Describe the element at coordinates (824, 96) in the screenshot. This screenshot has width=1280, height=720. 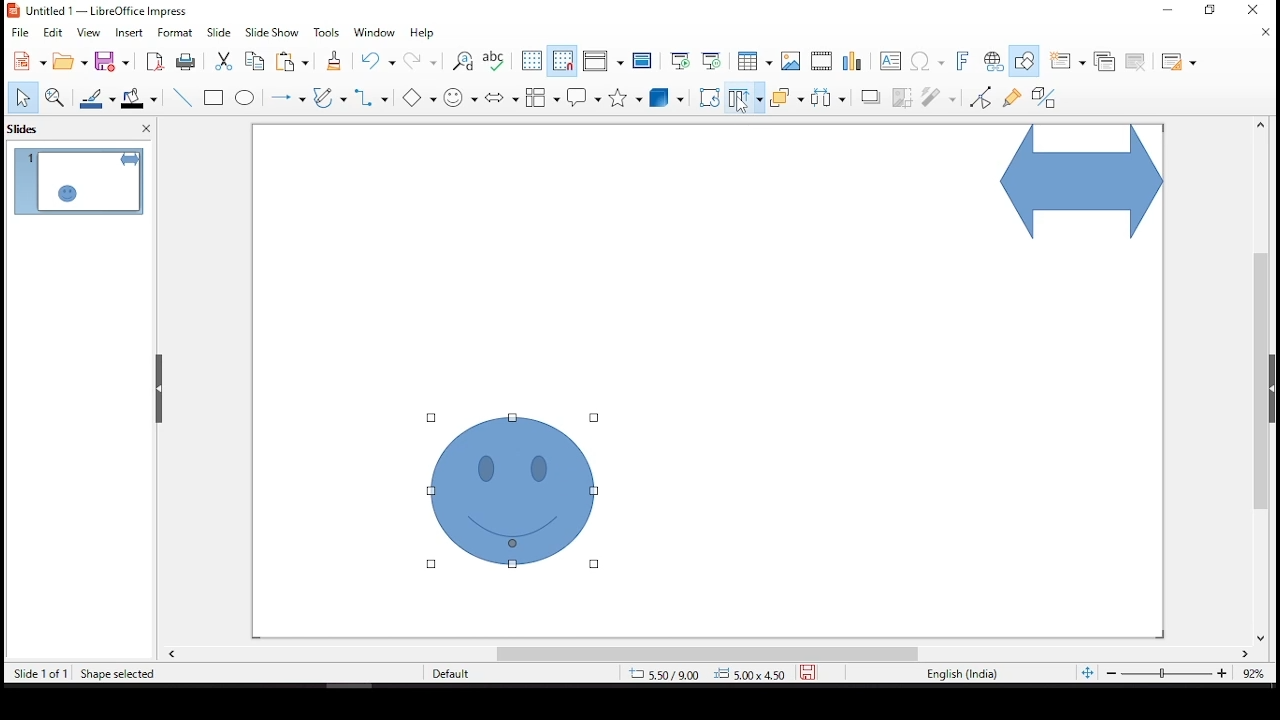
I see `distribute` at that location.